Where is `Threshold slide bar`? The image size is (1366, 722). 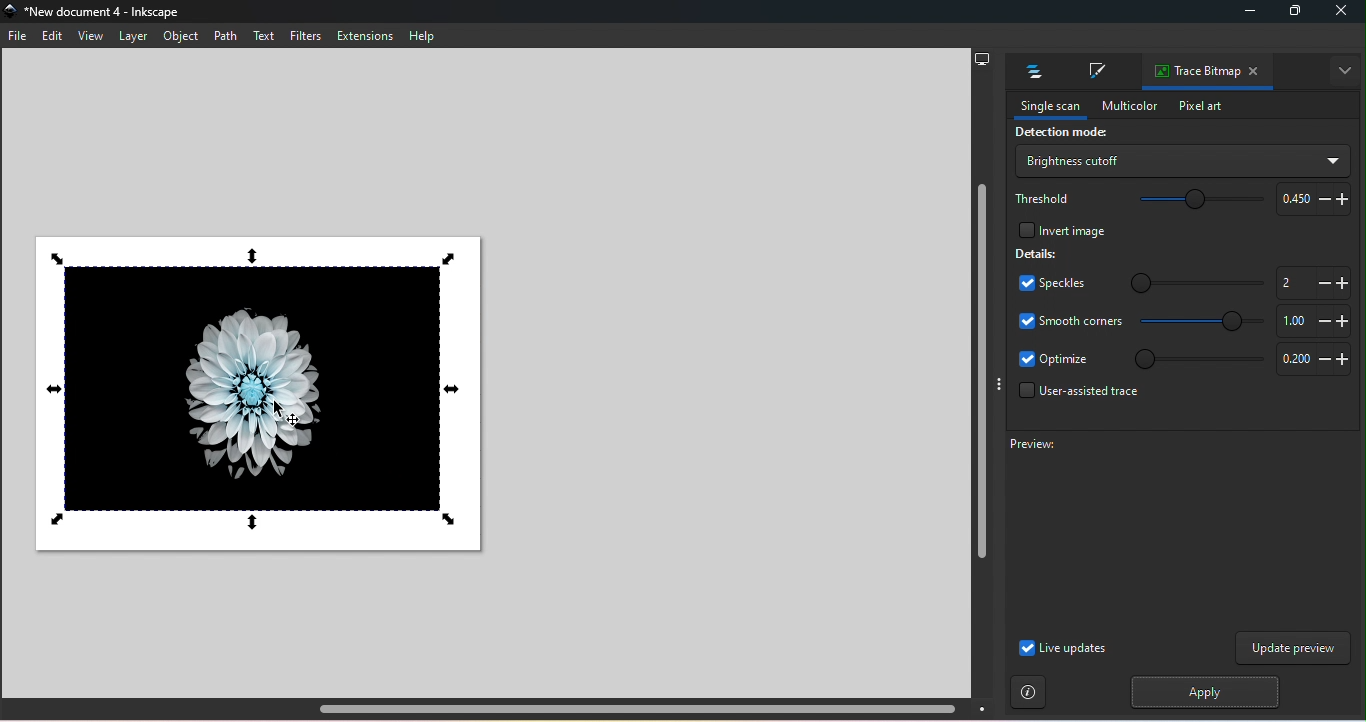
Threshold slide bar is located at coordinates (1191, 201).